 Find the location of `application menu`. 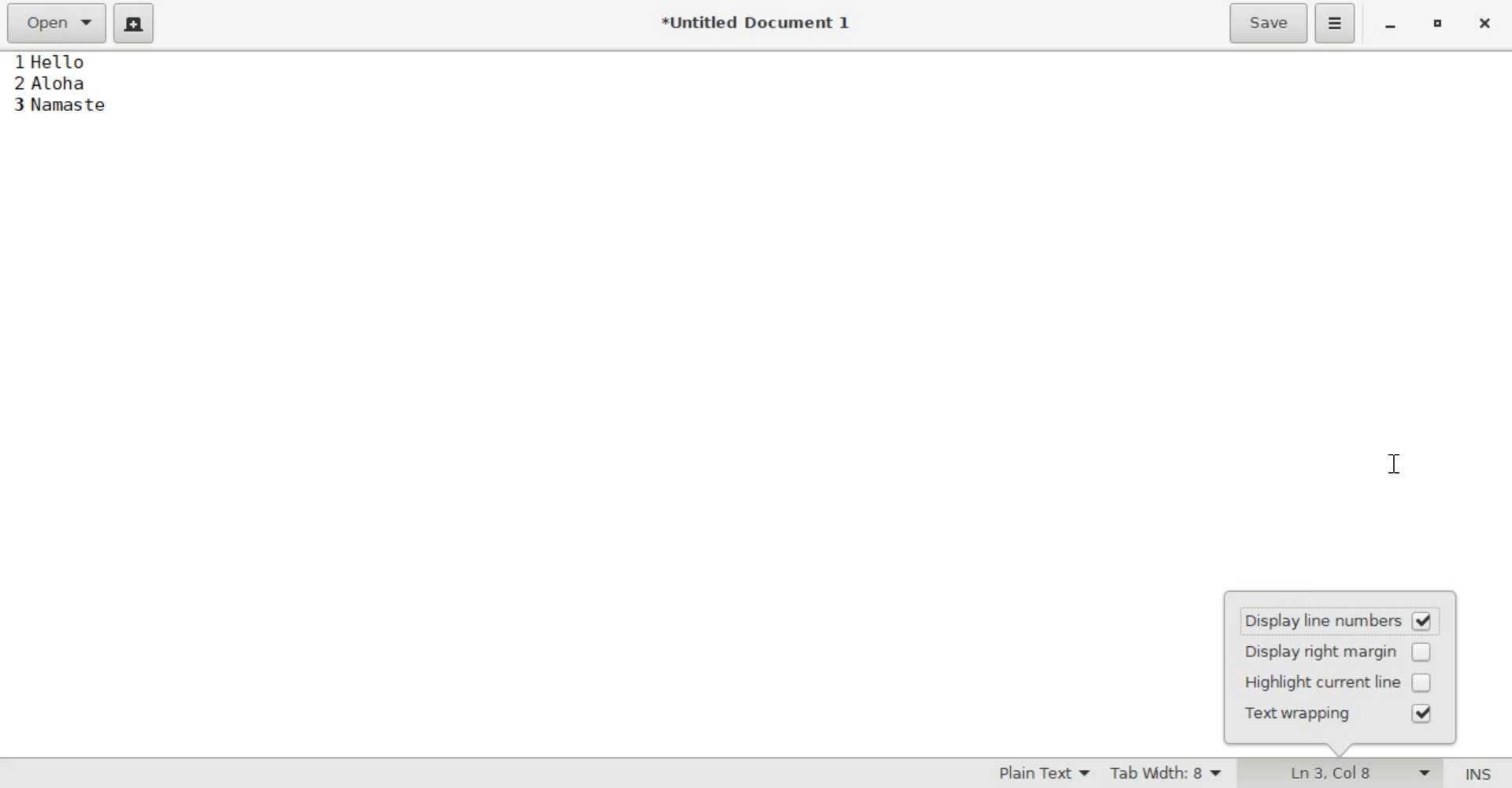

application menu is located at coordinates (1336, 23).